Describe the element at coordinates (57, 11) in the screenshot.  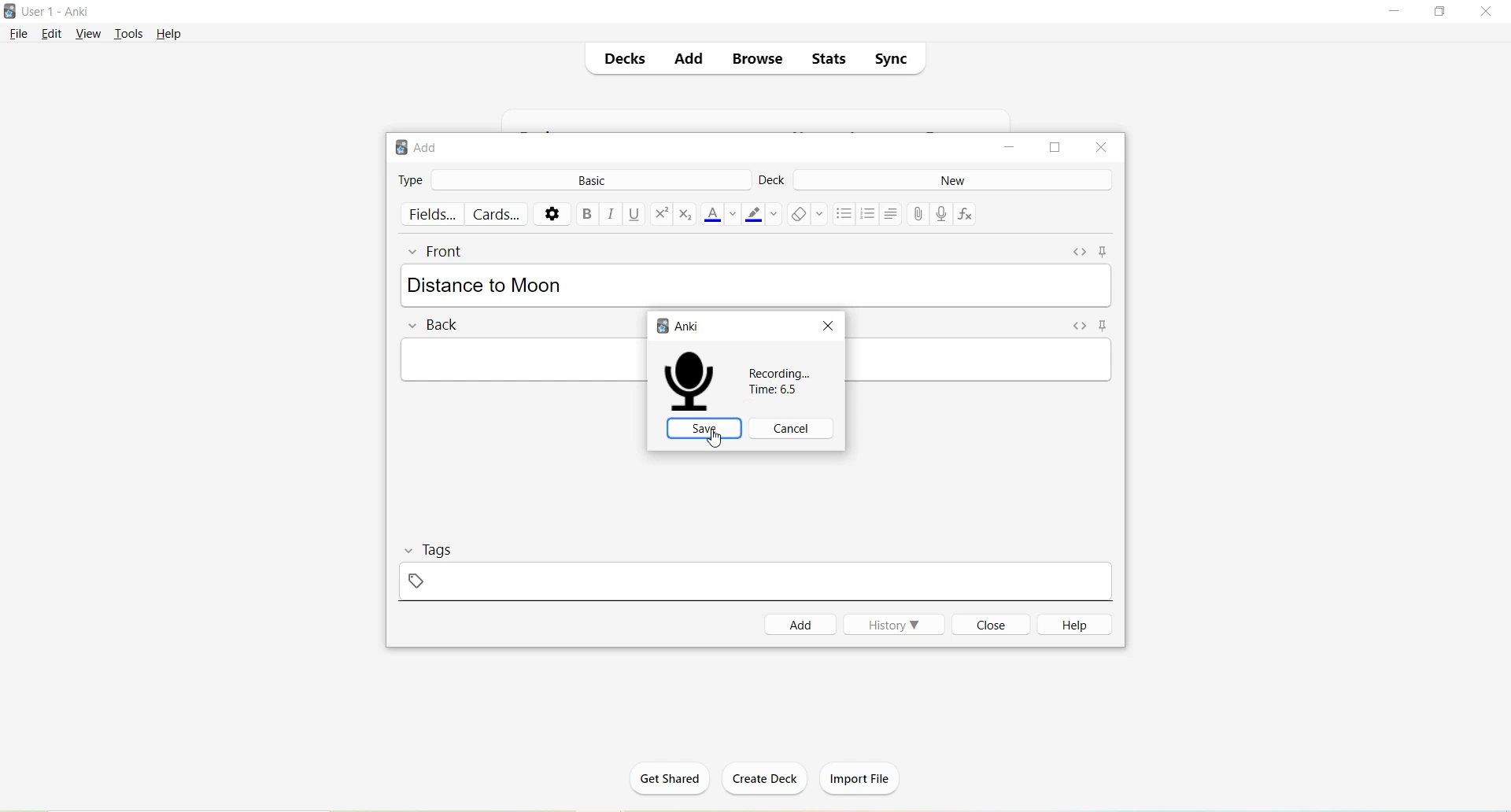
I see `User 1 - Anki` at that location.